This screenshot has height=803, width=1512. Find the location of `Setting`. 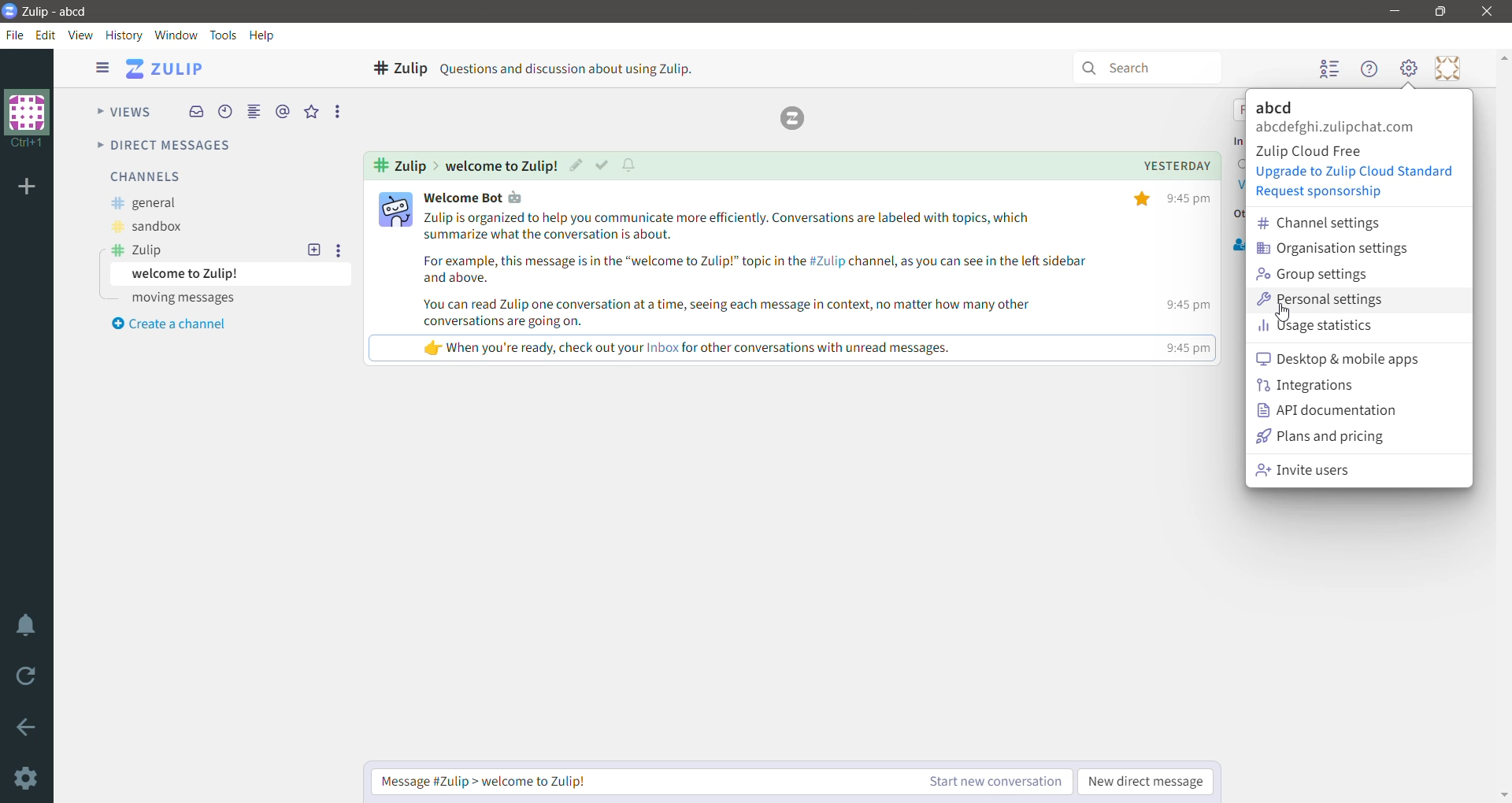

Setting is located at coordinates (1406, 68).